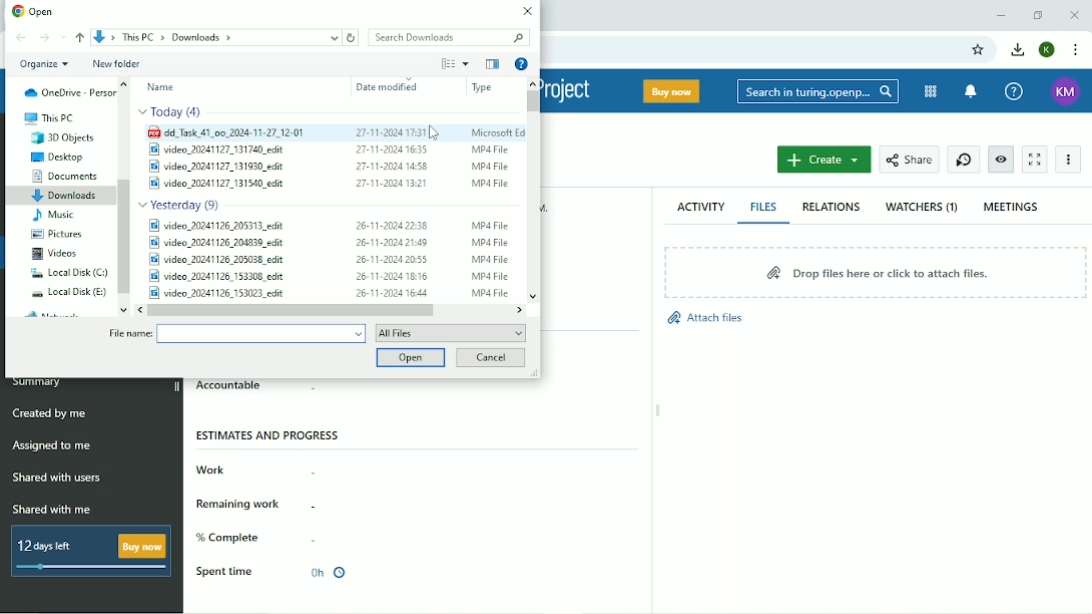 The image size is (1092, 614). Describe the element at coordinates (482, 88) in the screenshot. I see `Type` at that location.